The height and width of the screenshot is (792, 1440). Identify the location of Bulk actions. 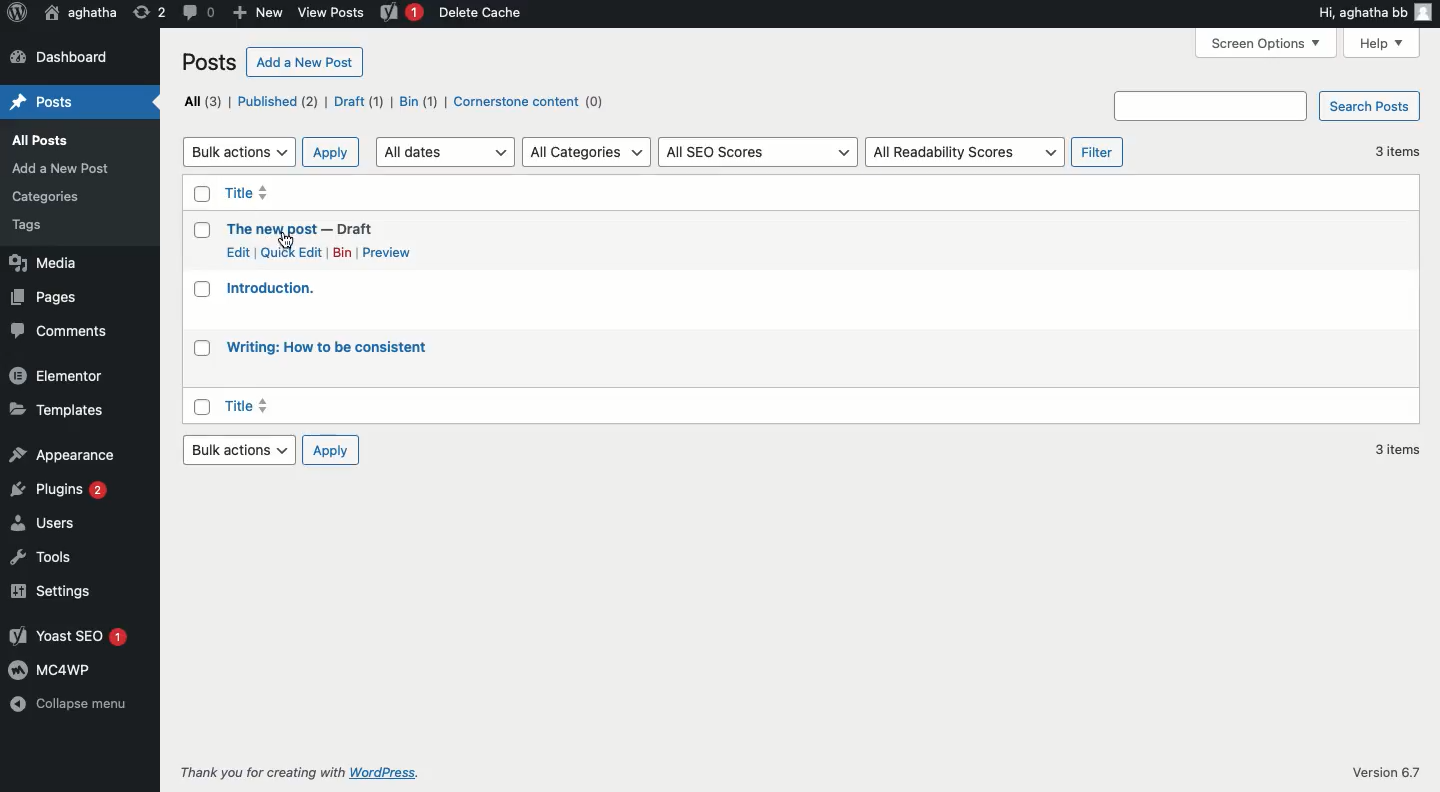
(238, 153).